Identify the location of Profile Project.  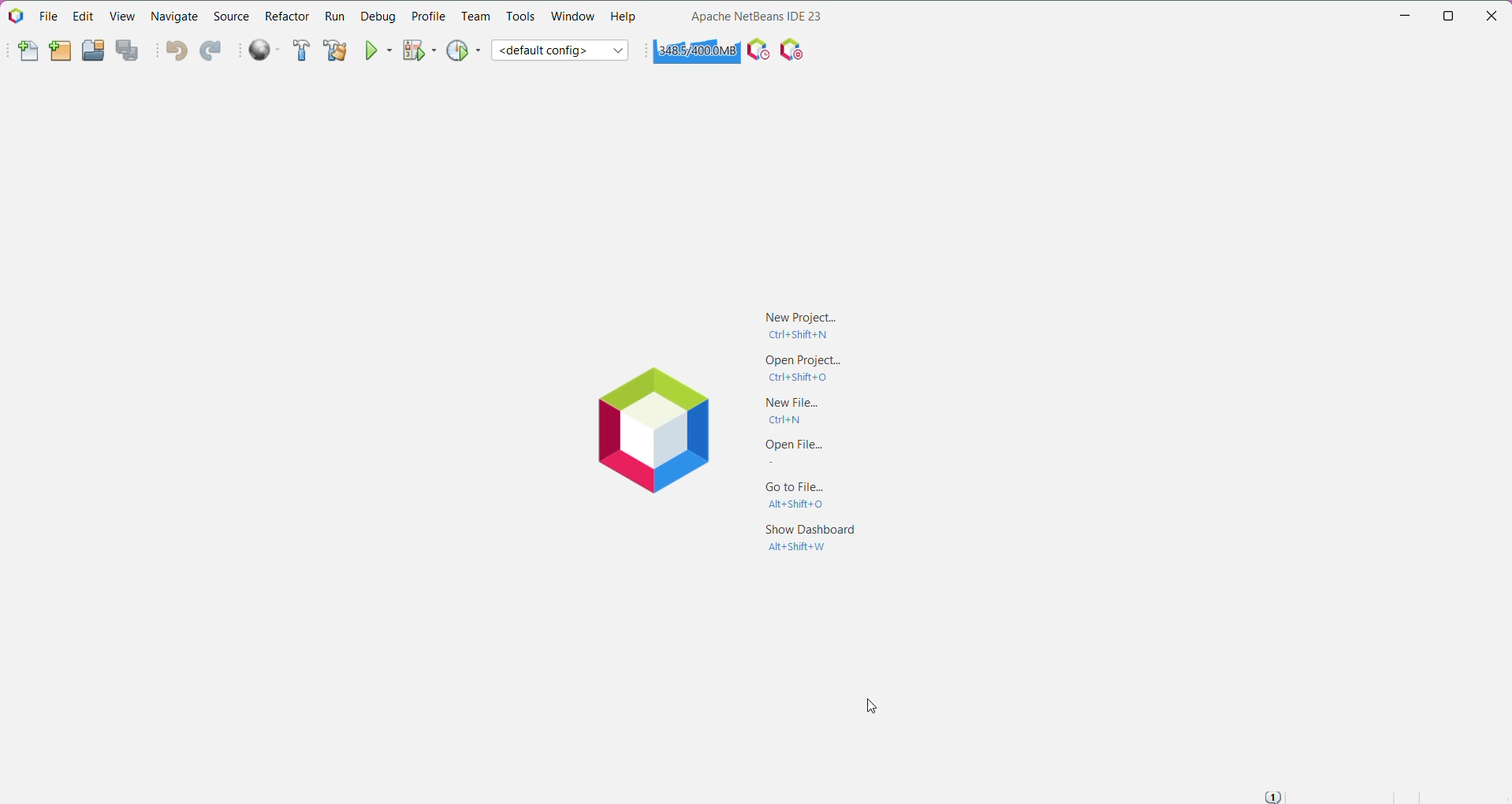
(464, 50).